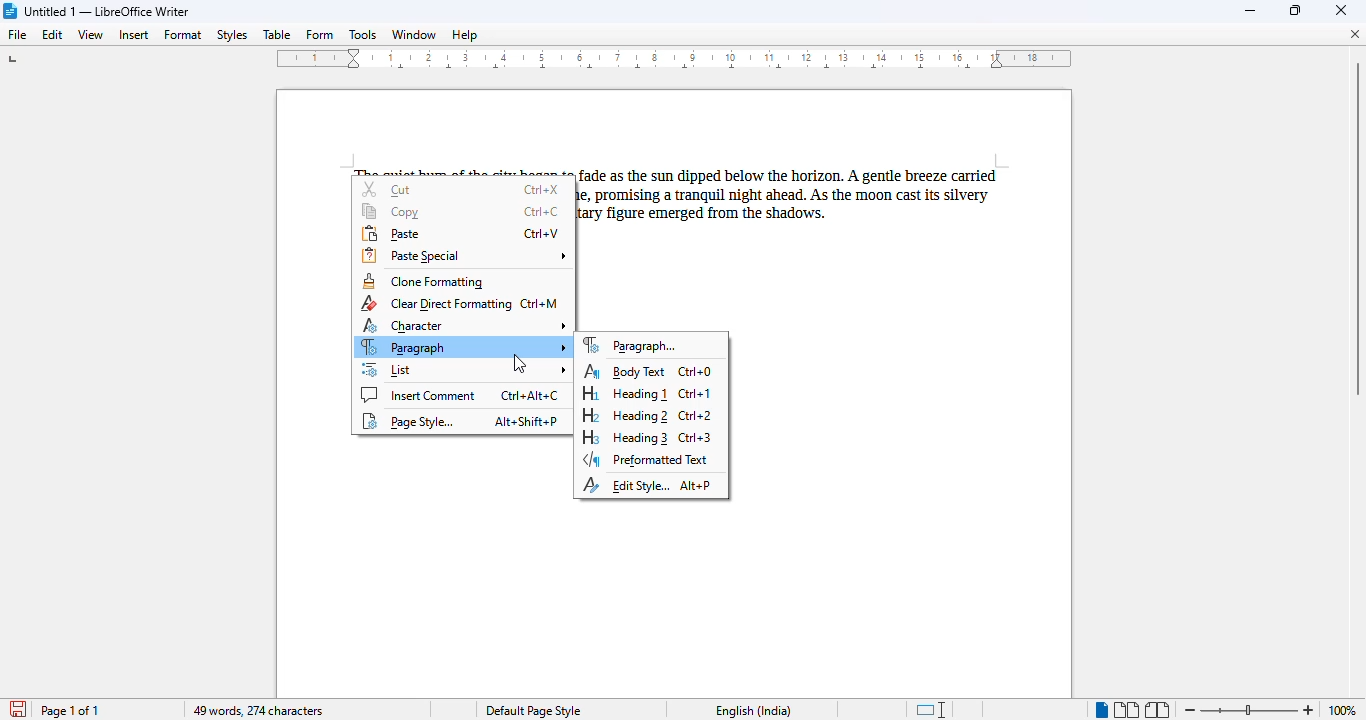 Image resolution: width=1366 pixels, height=720 pixels. Describe the element at coordinates (1341, 9) in the screenshot. I see `close` at that location.